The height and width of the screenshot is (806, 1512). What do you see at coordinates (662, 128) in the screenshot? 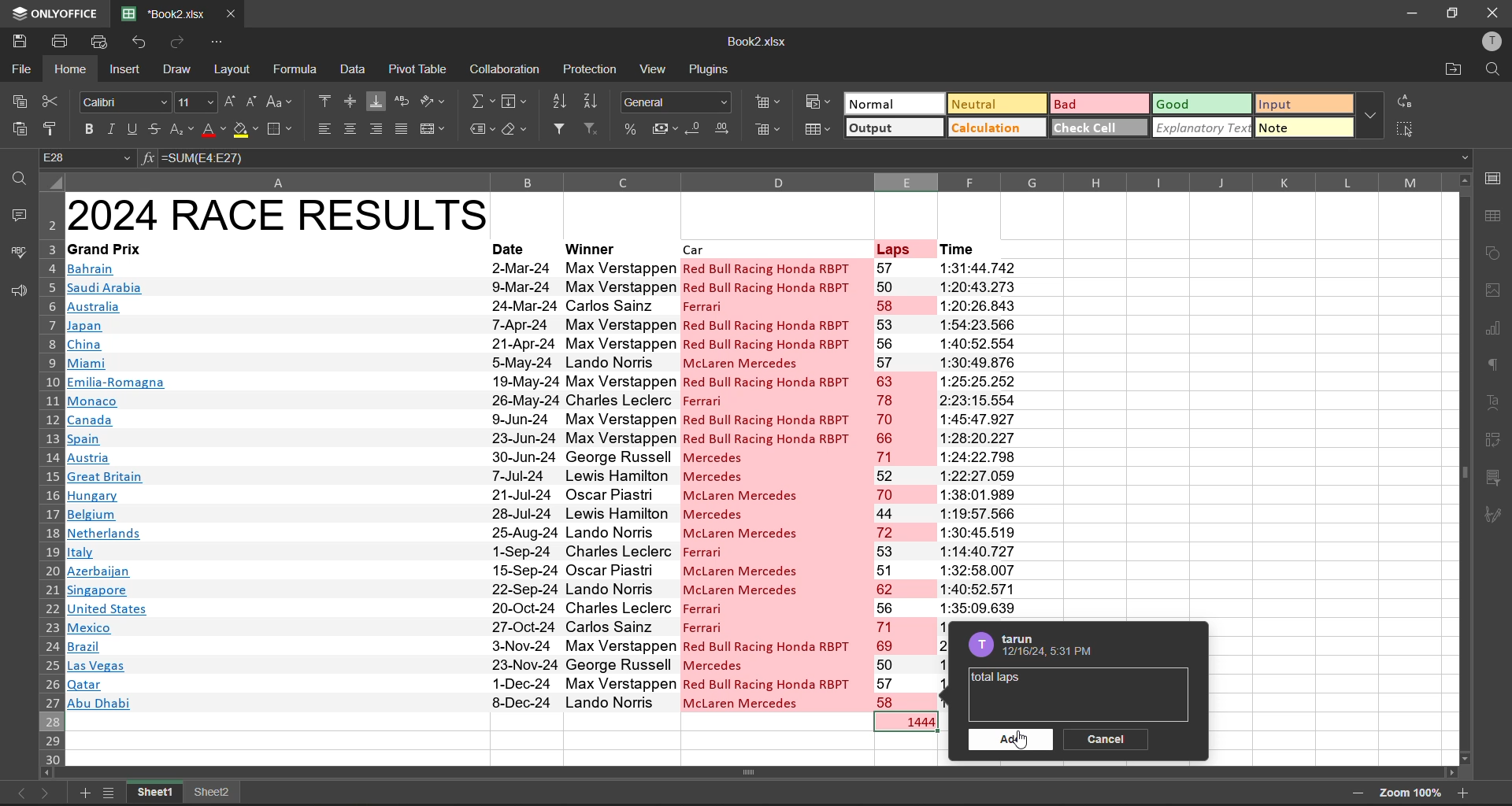
I see `accounting` at bounding box center [662, 128].